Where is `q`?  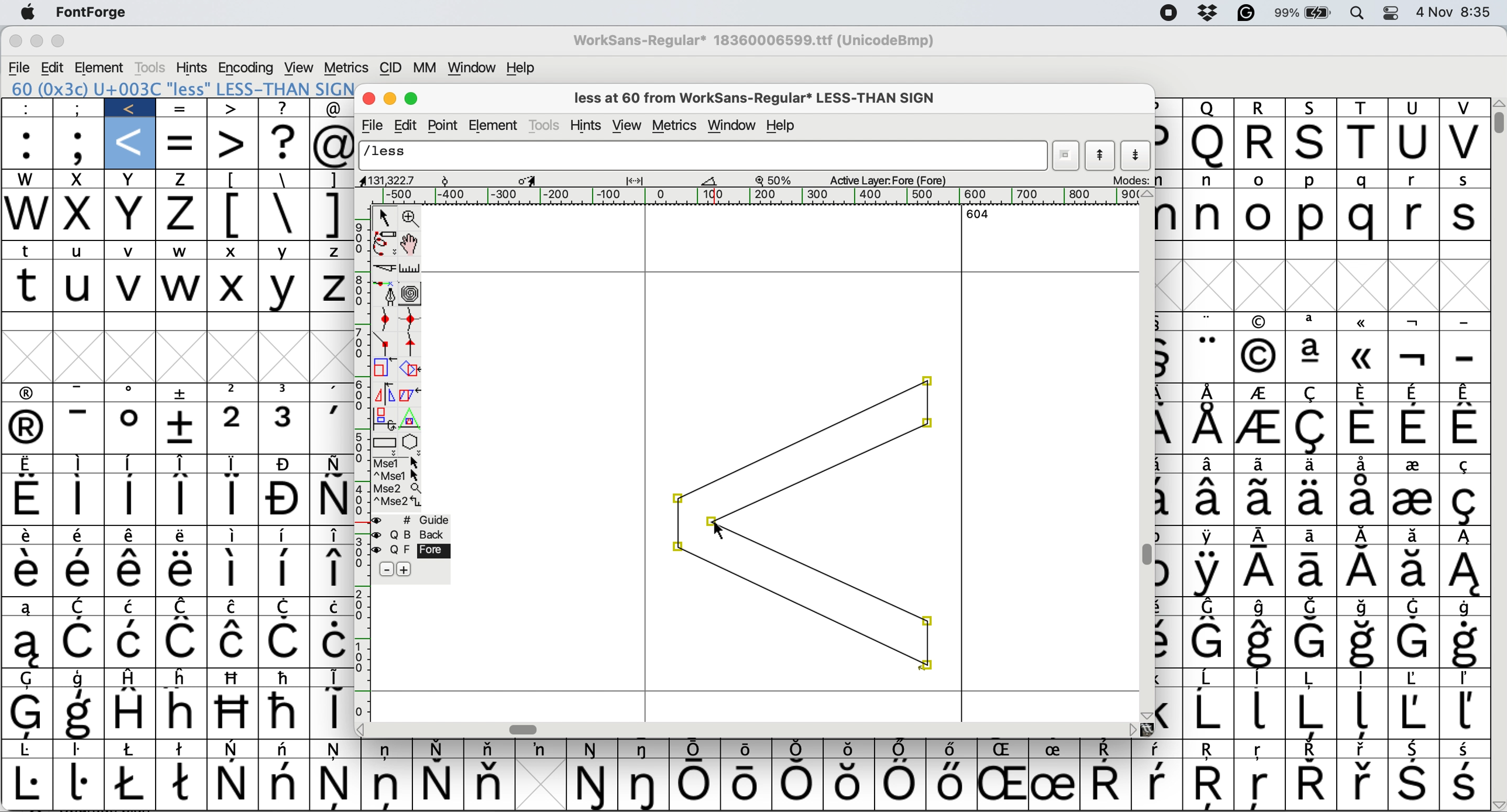 q is located at coordinates (1209, 142).